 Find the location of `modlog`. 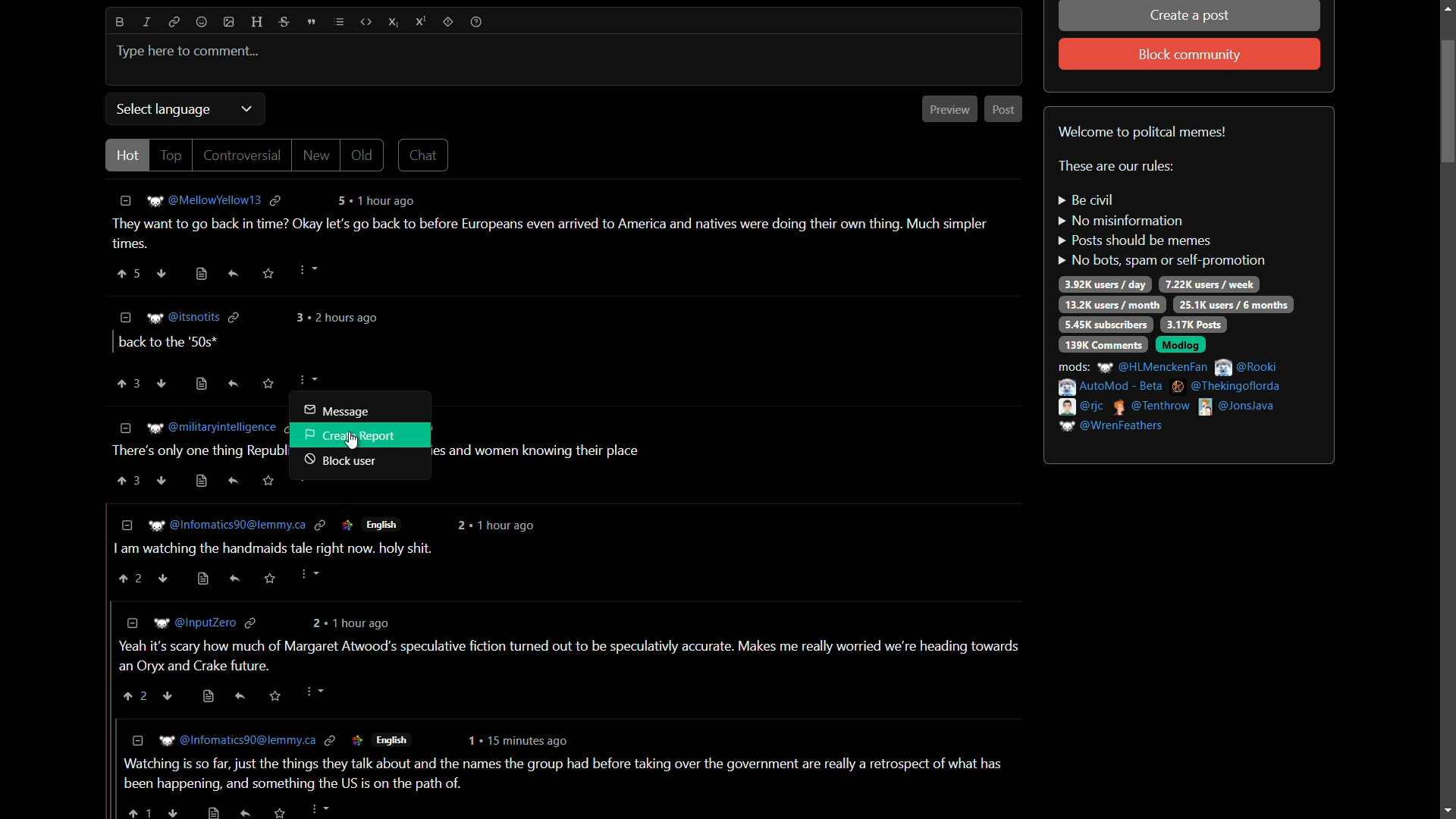

modlog is located at coordinates (1181, 347).